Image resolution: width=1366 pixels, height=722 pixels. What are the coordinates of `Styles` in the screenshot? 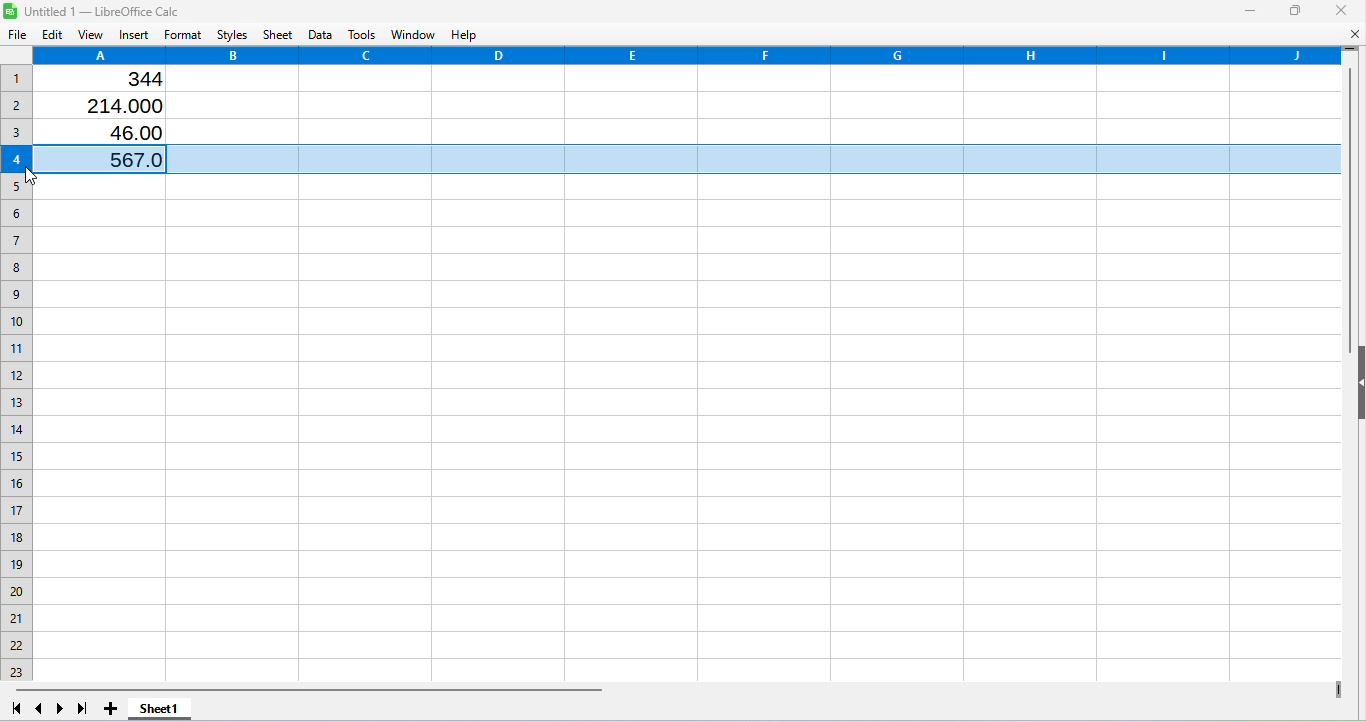 It's located at (232, 33).